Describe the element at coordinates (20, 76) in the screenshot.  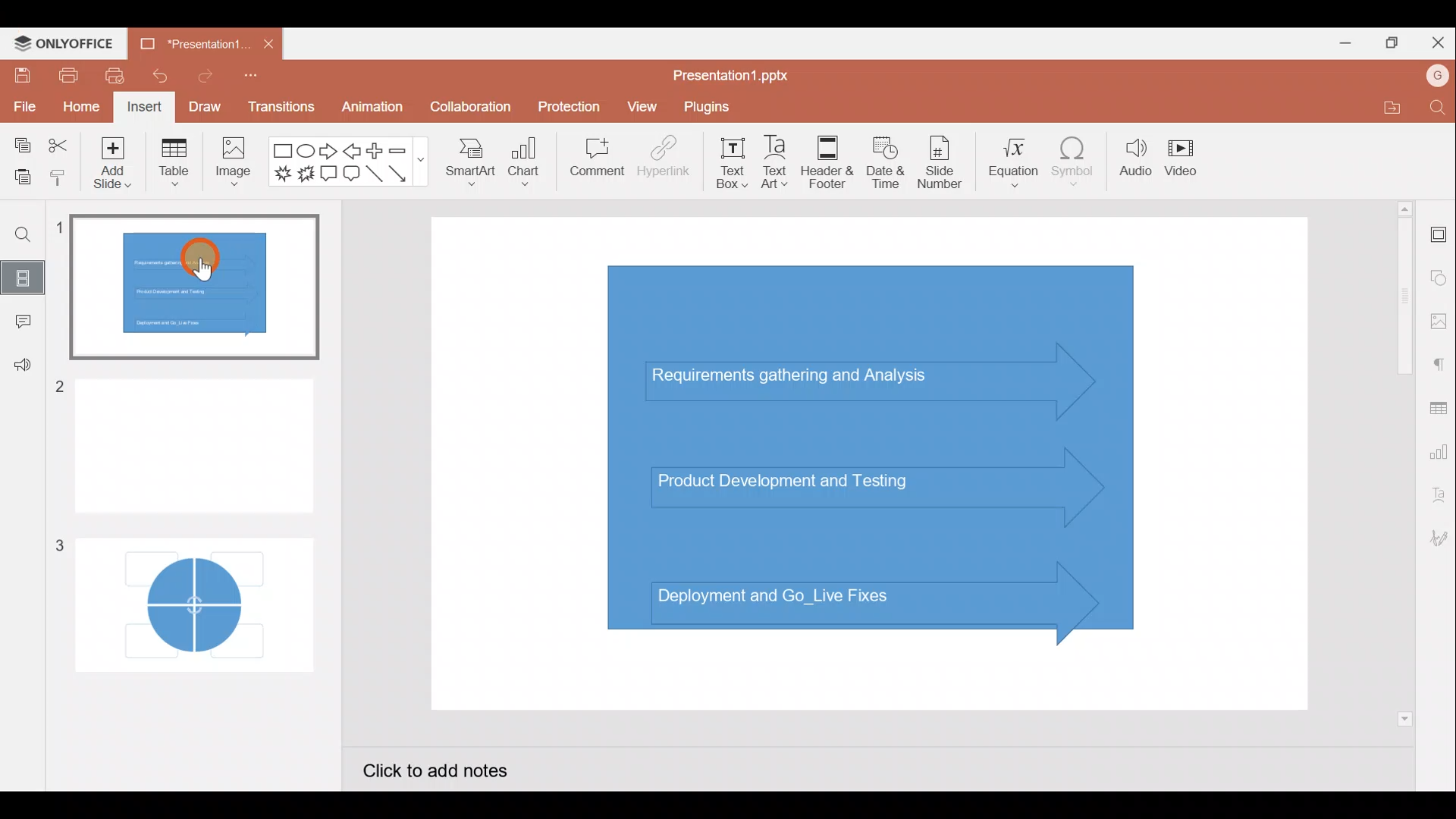
I see `Save` at that location.